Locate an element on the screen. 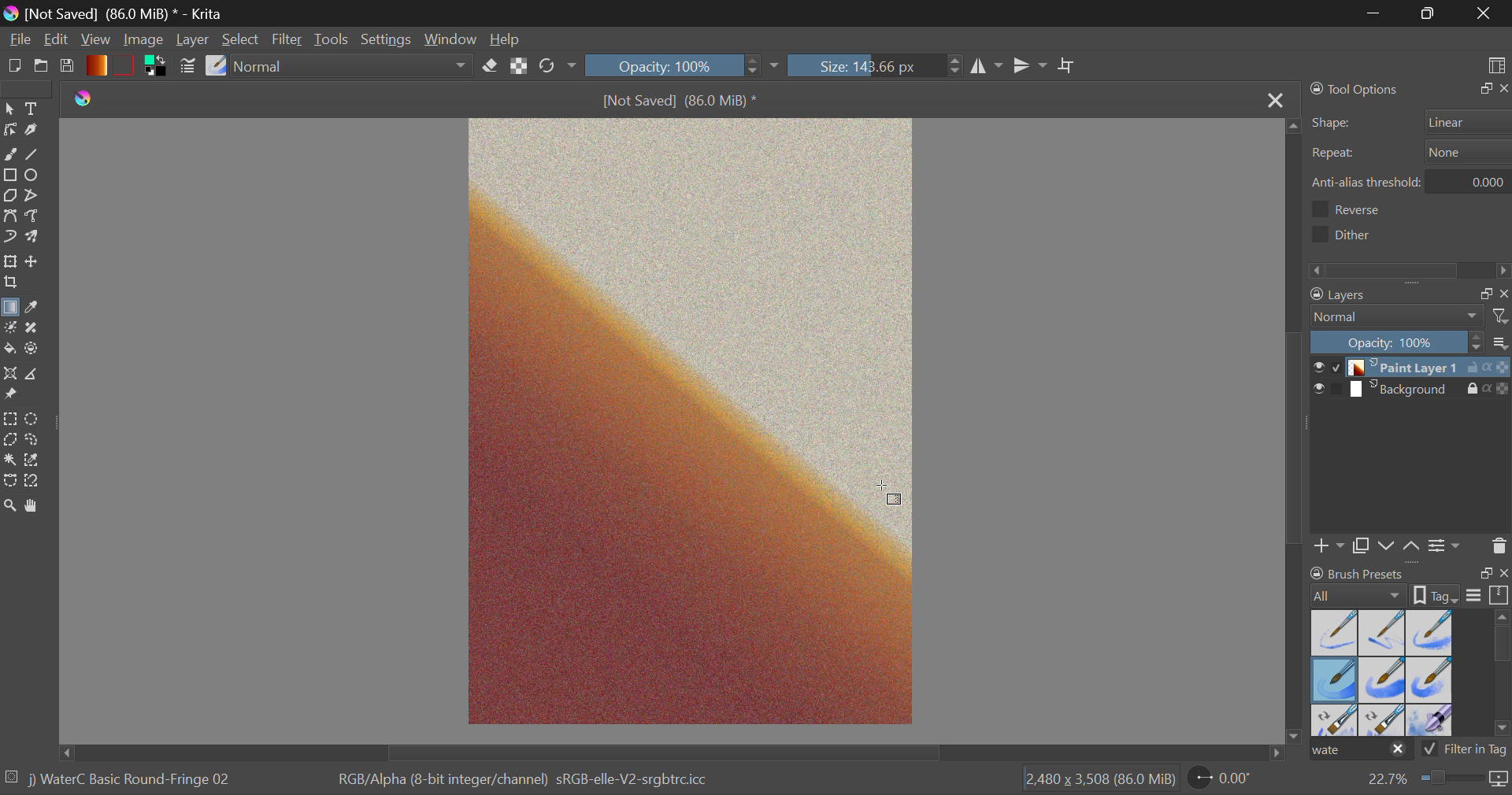 This screenshot has width=1512, height=795. Repeat: is located at coordinates (1333, 154).